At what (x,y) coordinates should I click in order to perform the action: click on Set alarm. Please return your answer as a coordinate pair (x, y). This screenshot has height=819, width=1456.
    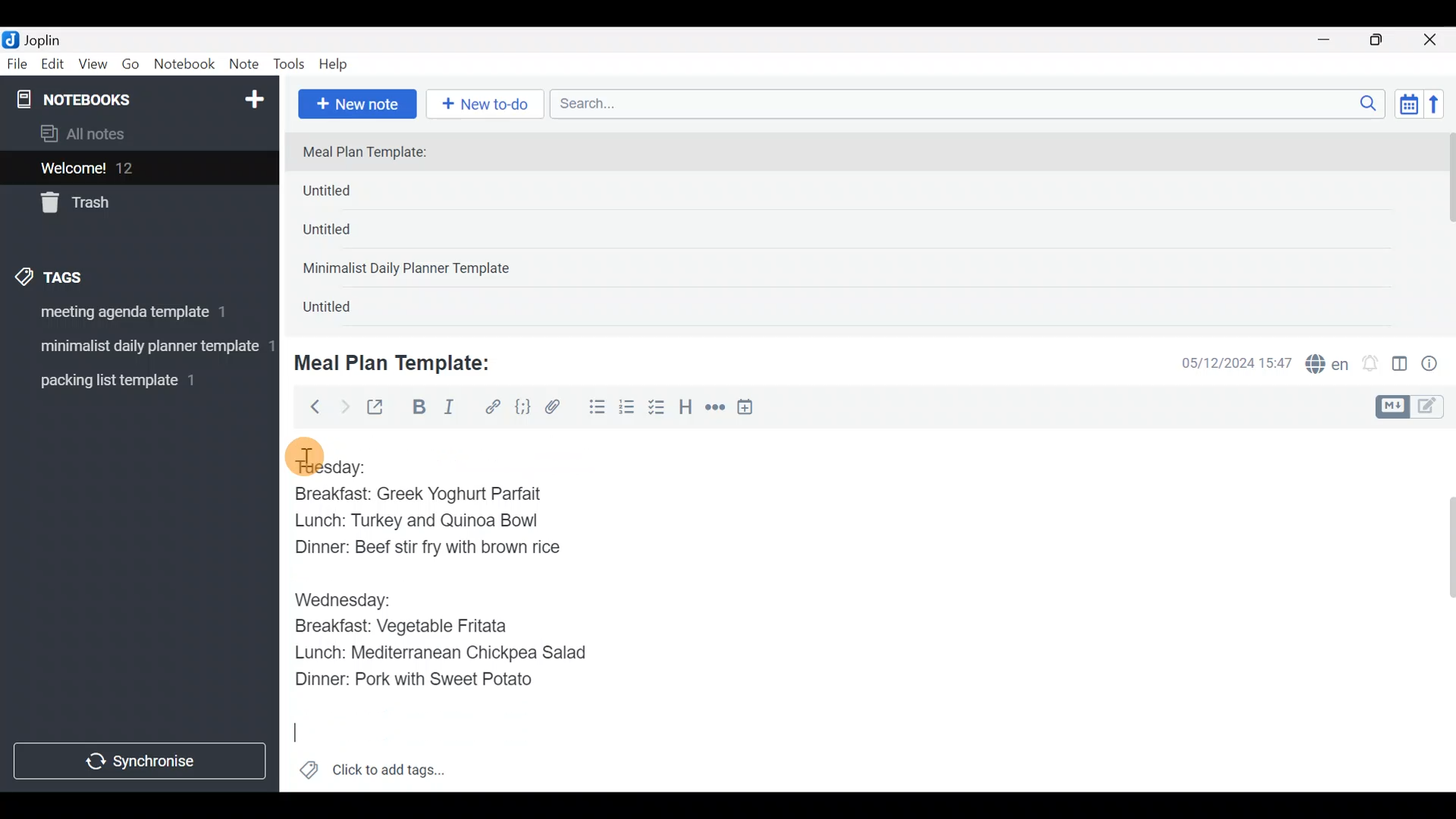
    Looking at the image, I should click on (1371, 365).